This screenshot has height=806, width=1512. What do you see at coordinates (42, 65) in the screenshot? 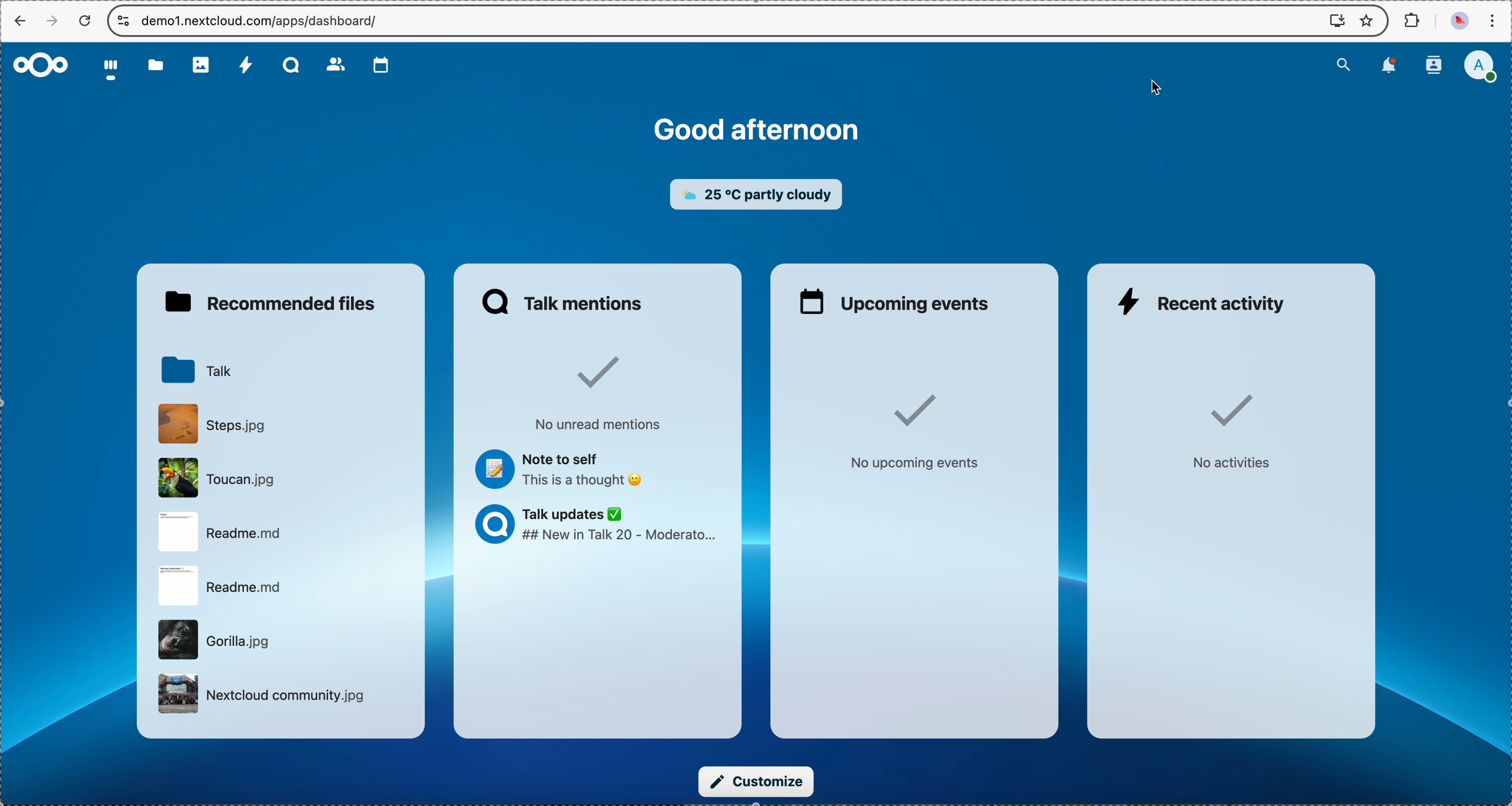
I see `Nextcloud` at bounding box center [42, 65].